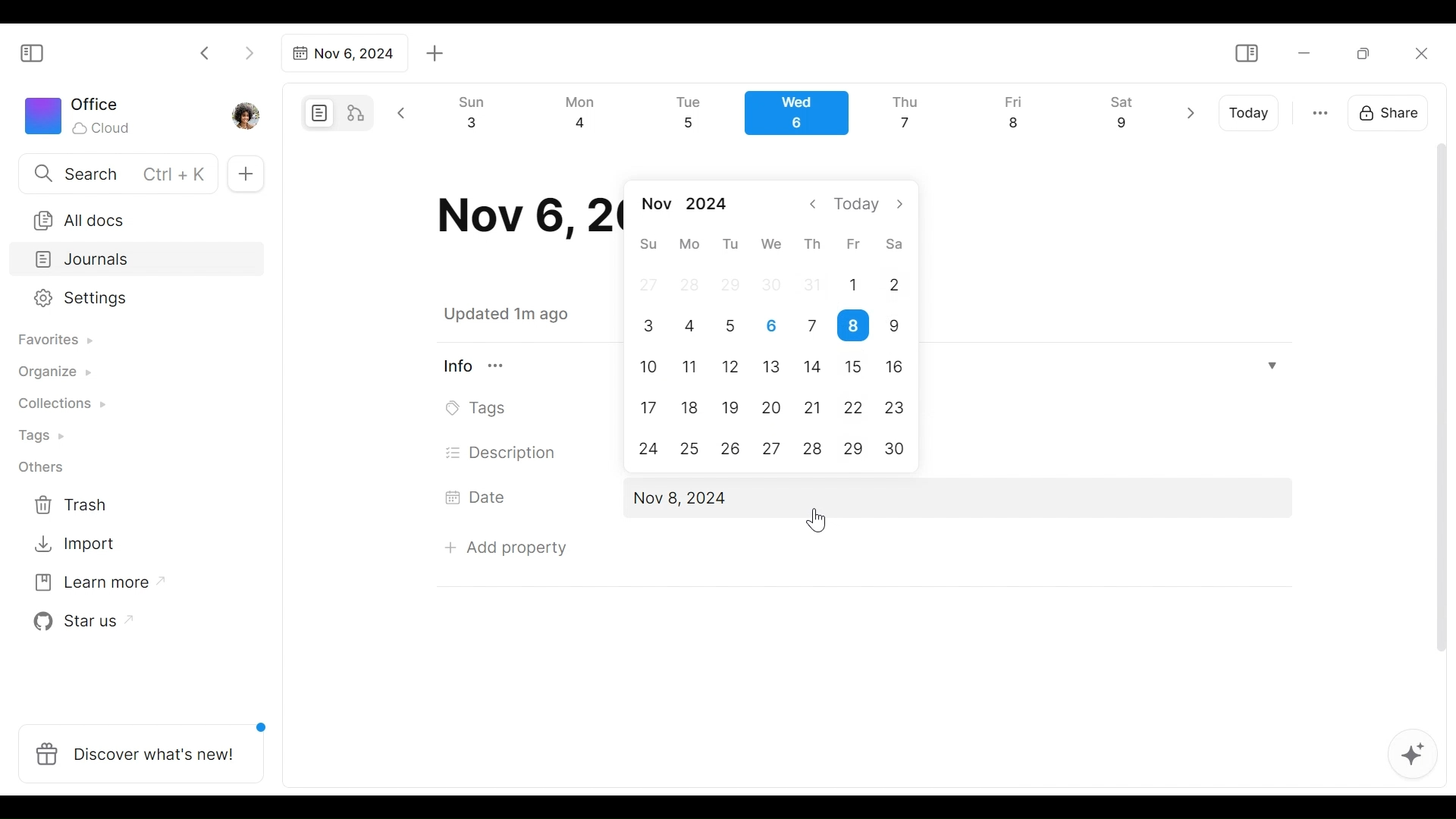  What do you see at coordinates (317, 113) in the screenshot?
I see `Page mode` at bounding box center [317, 113].